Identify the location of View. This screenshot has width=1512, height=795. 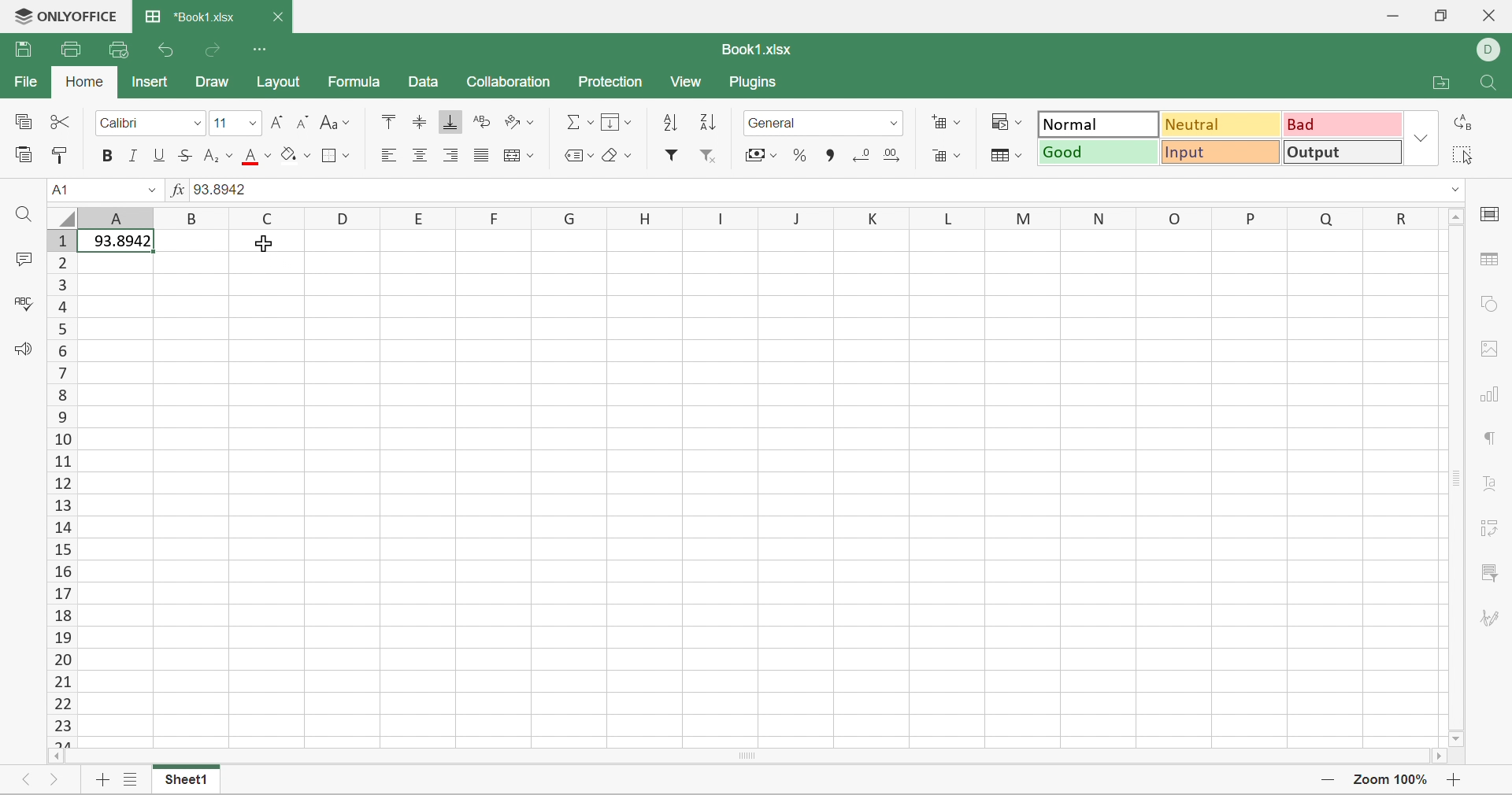
(688, 83).